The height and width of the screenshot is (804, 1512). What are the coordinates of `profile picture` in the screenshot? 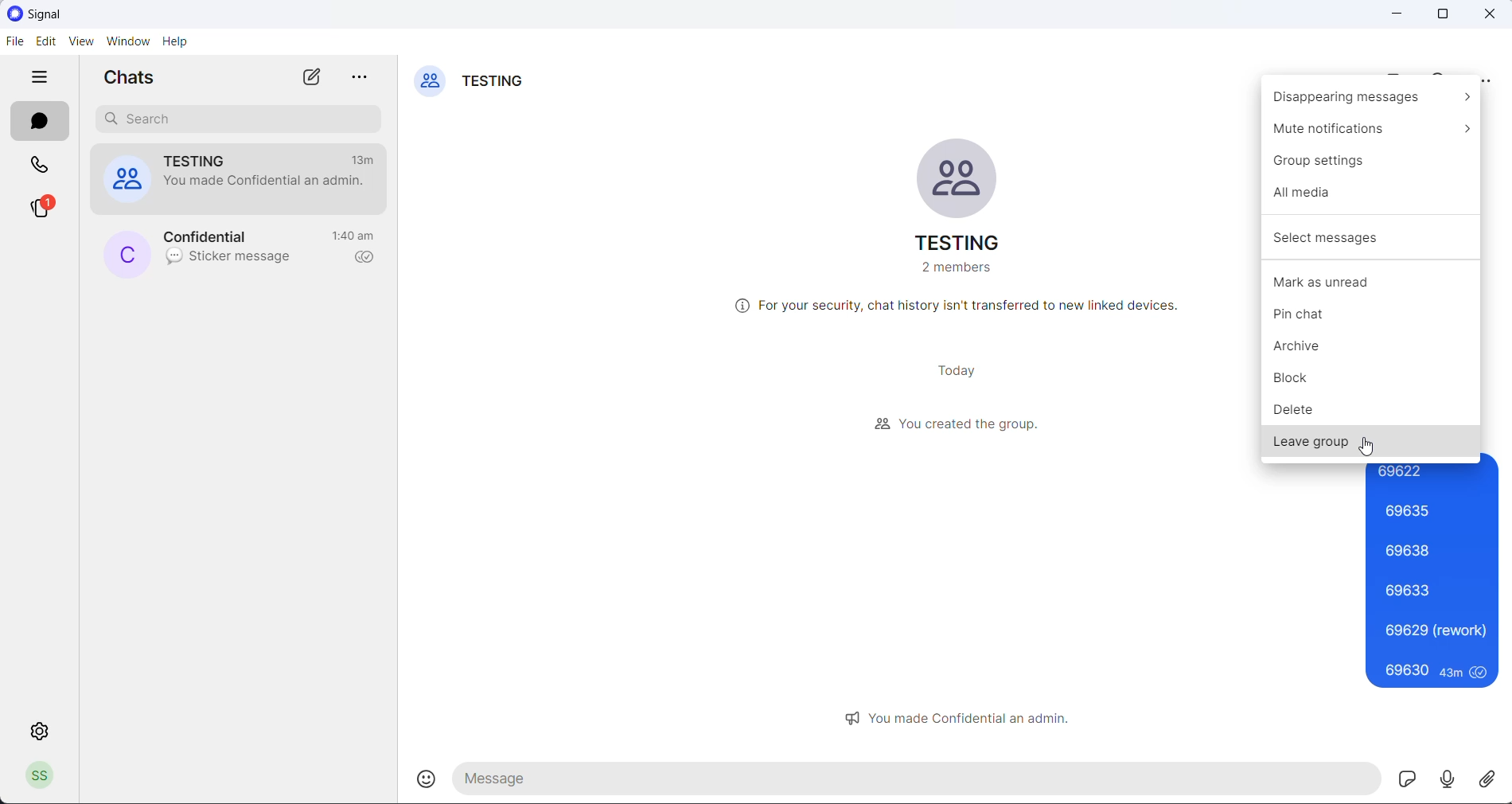 It's located at (127, 254).